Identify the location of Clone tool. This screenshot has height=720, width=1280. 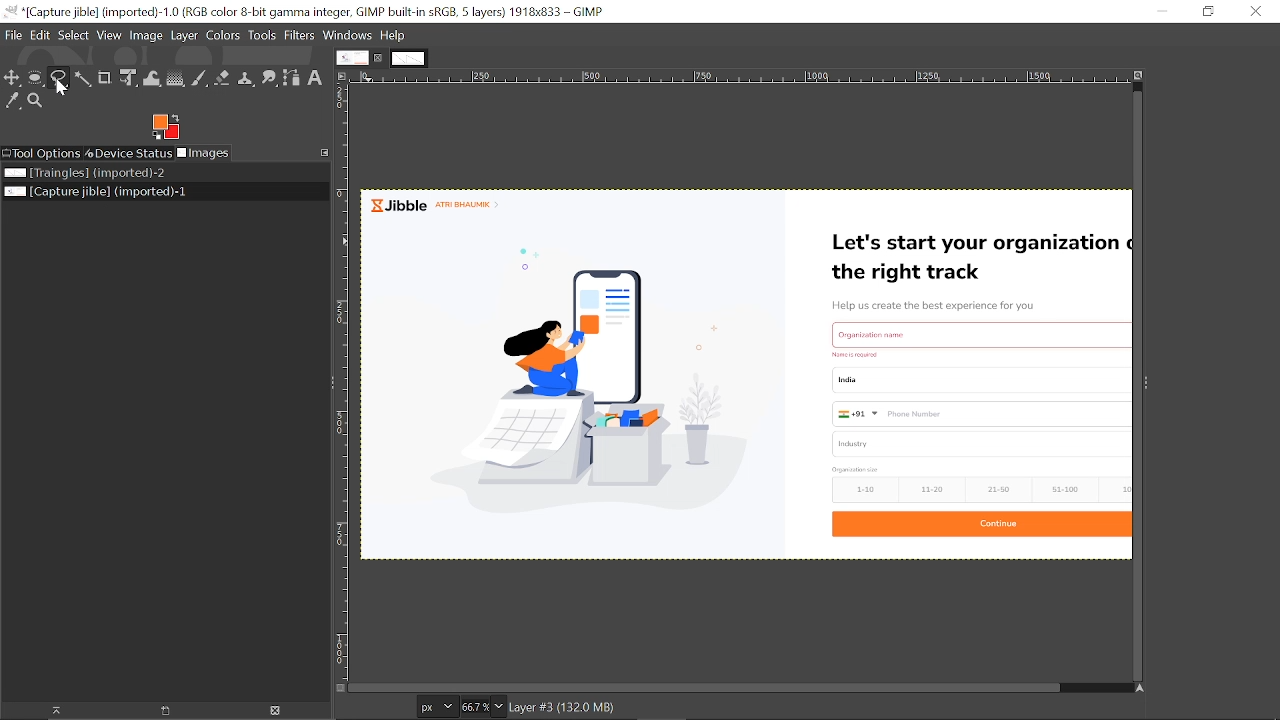
(246, 78).